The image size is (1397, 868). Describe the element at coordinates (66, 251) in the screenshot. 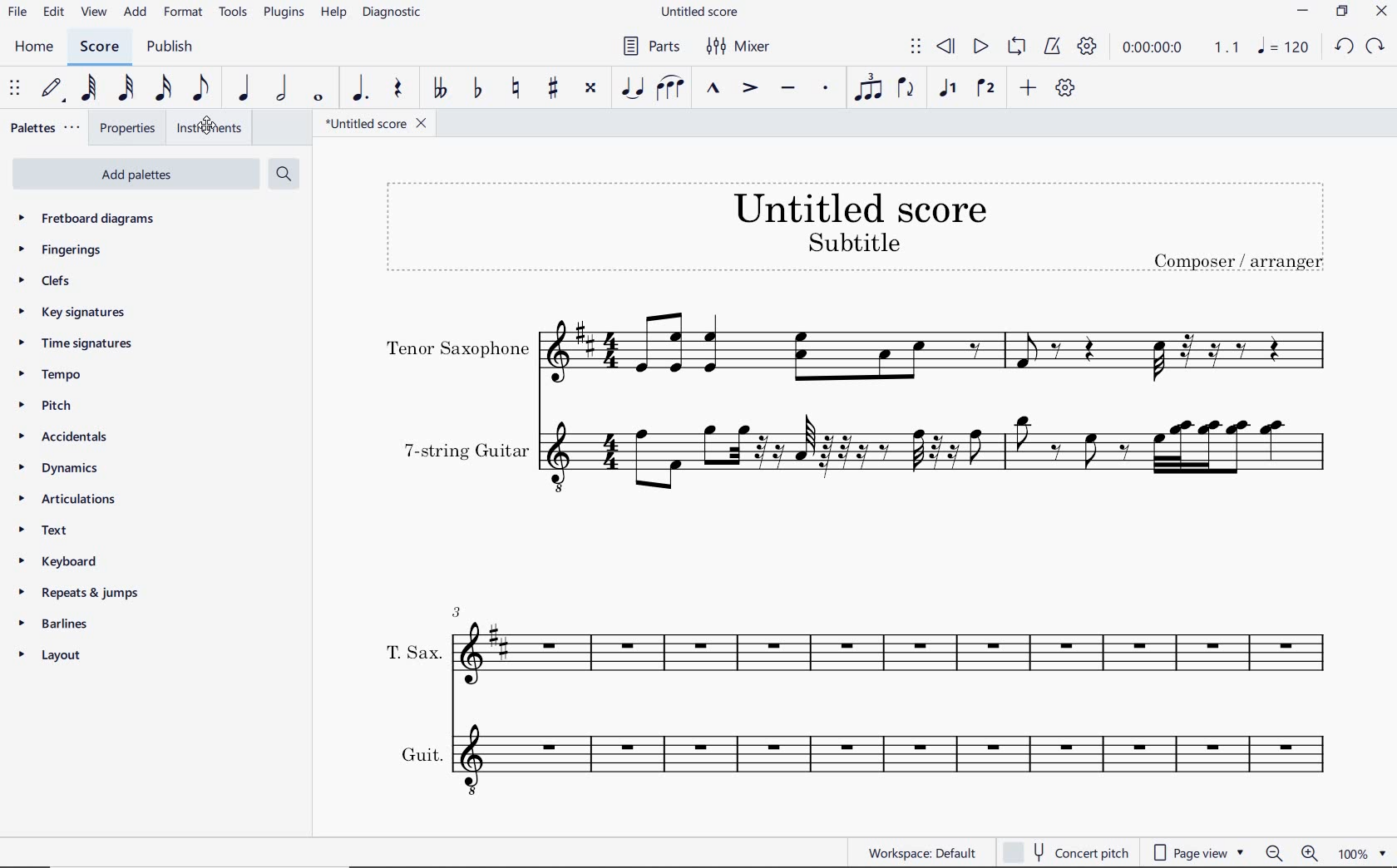

I see `FINGERINGS` at that location.